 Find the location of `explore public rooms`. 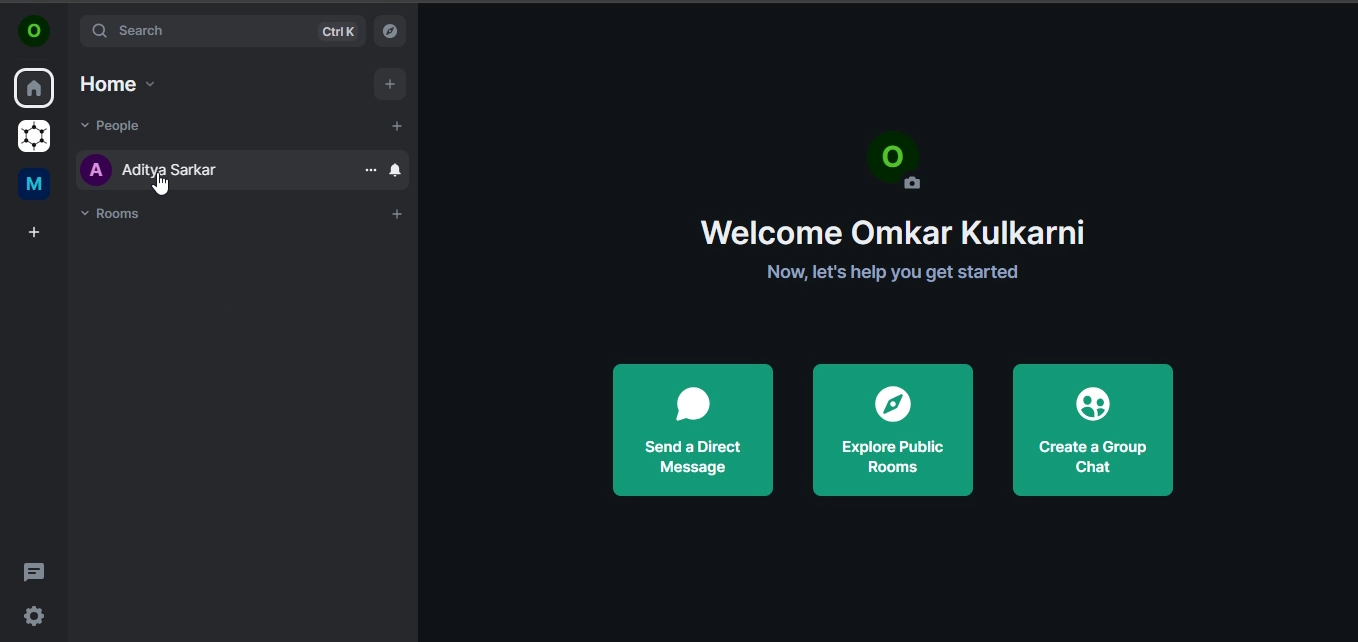

explore public rooms is located at coordinates (891, 428).